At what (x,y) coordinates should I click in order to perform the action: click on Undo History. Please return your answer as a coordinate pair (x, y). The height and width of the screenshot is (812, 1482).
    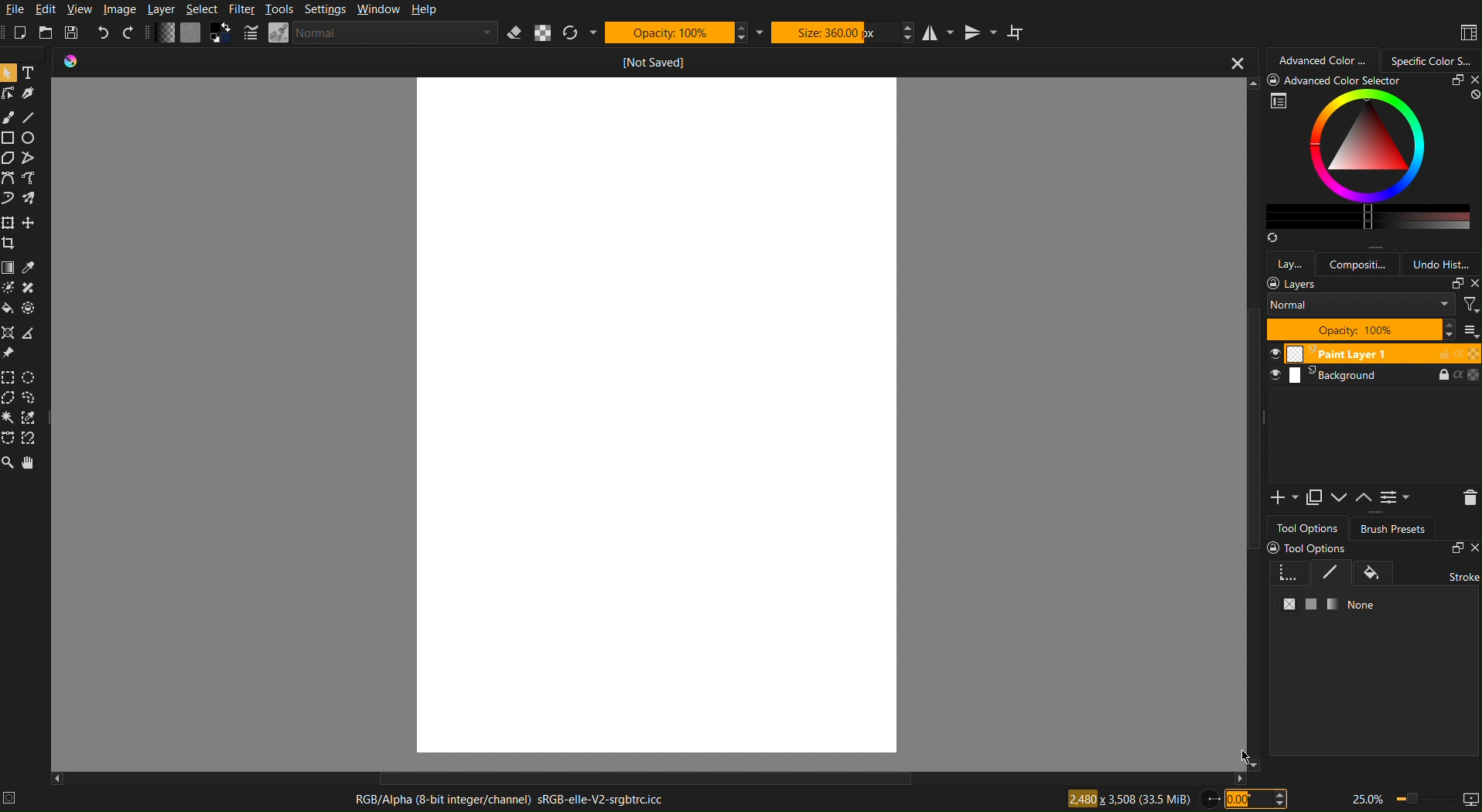
    Looking at the image, I should click on (1440, 262).